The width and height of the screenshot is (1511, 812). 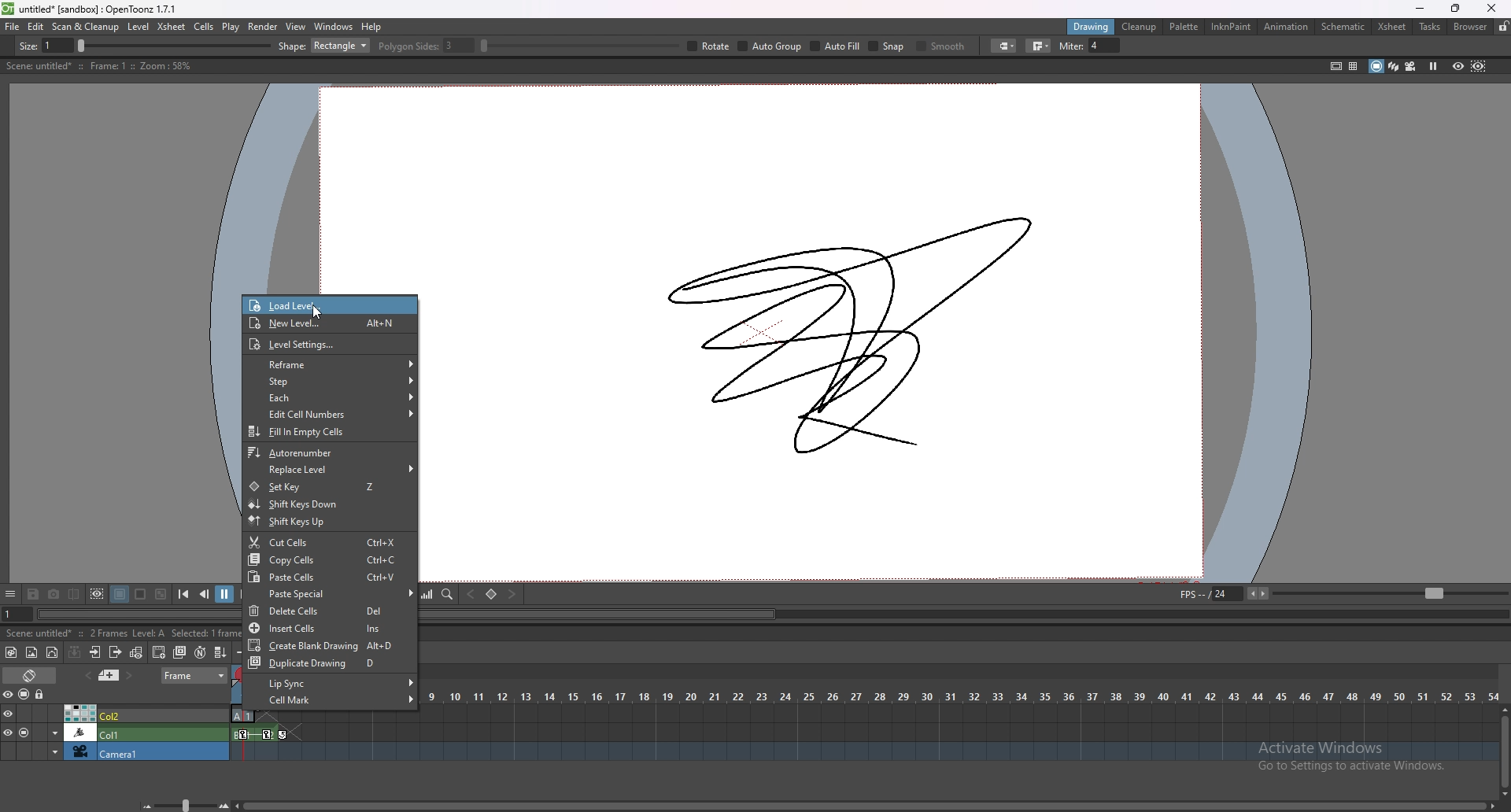 I want to click on autofill cells, so click(x=220, y=652).